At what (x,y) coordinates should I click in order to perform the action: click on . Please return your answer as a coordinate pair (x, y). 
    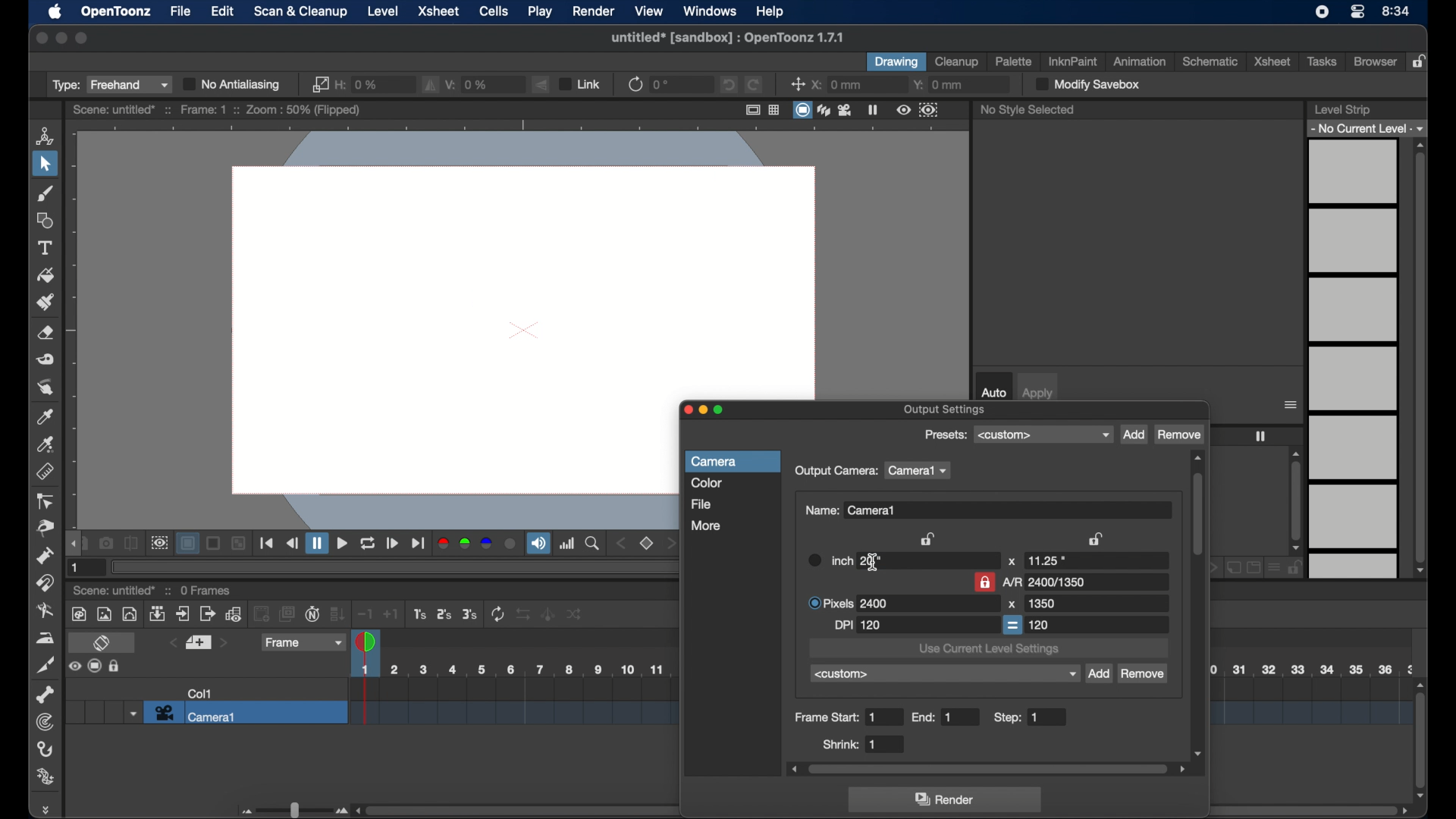
    Looking at the image, I should click on (116, 667).